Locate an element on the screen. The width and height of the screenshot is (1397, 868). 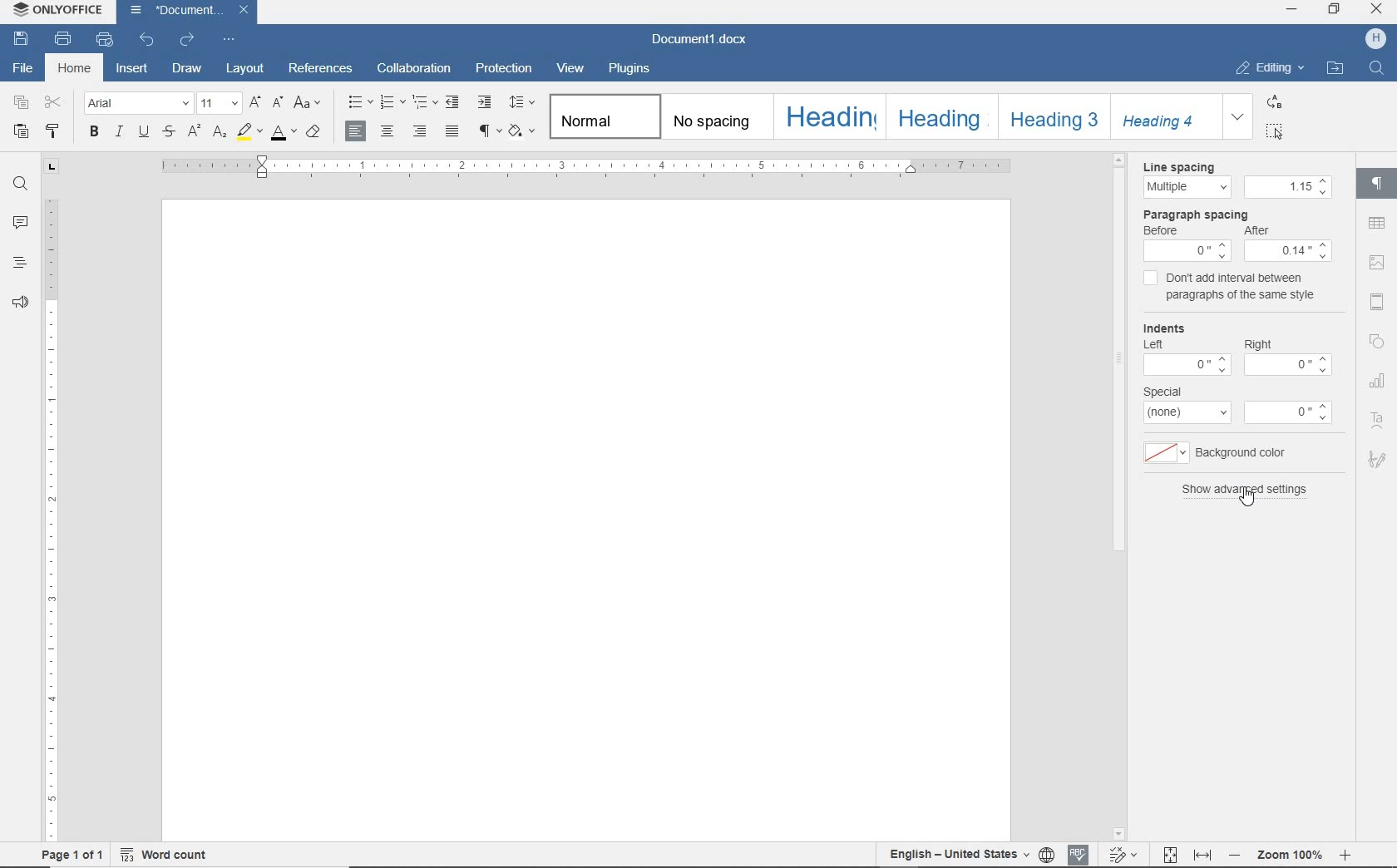
Pointer is located at coordinates (1251, 506).